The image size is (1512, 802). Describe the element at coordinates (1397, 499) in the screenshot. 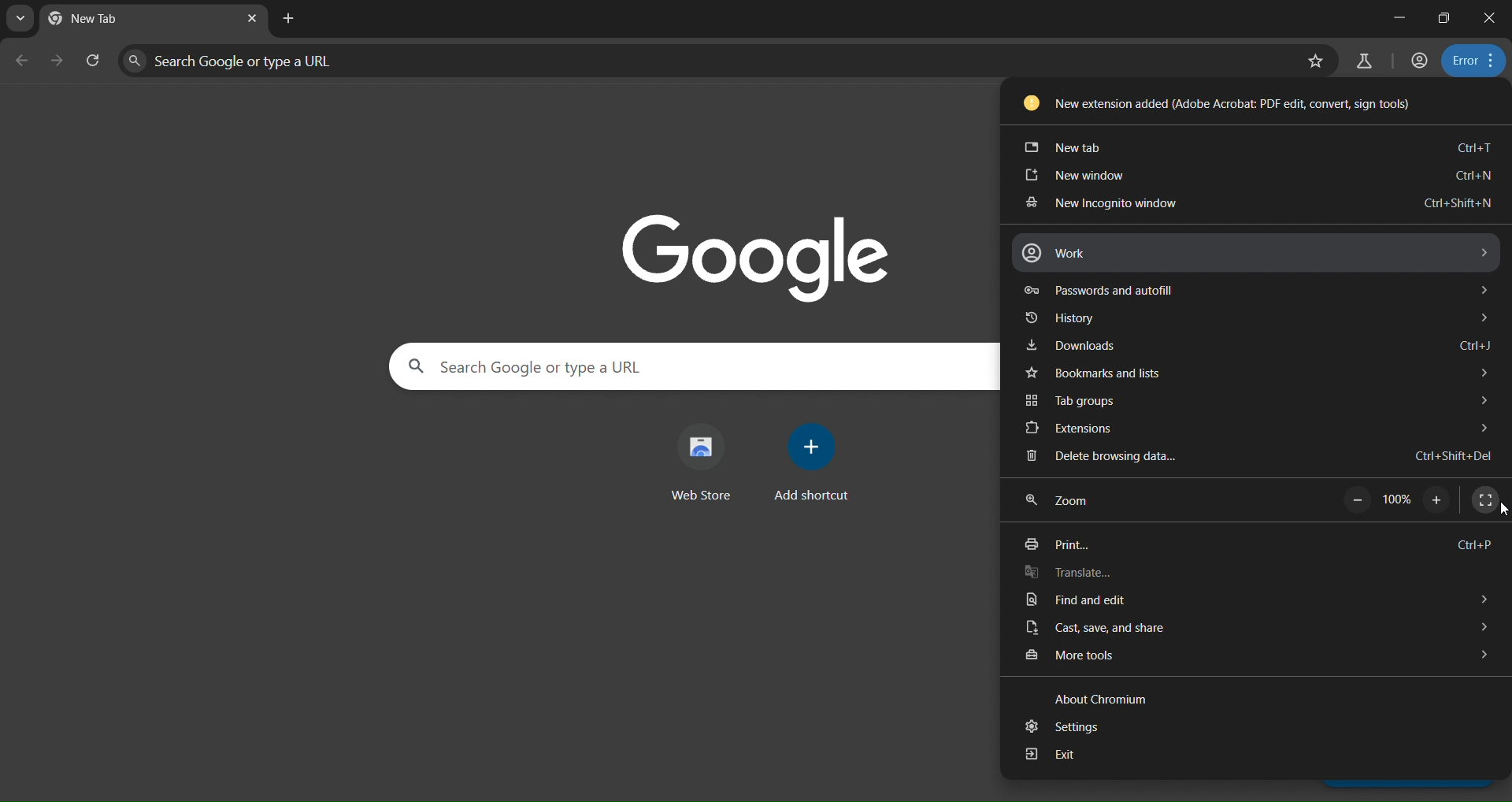

I see `100%` at that location.